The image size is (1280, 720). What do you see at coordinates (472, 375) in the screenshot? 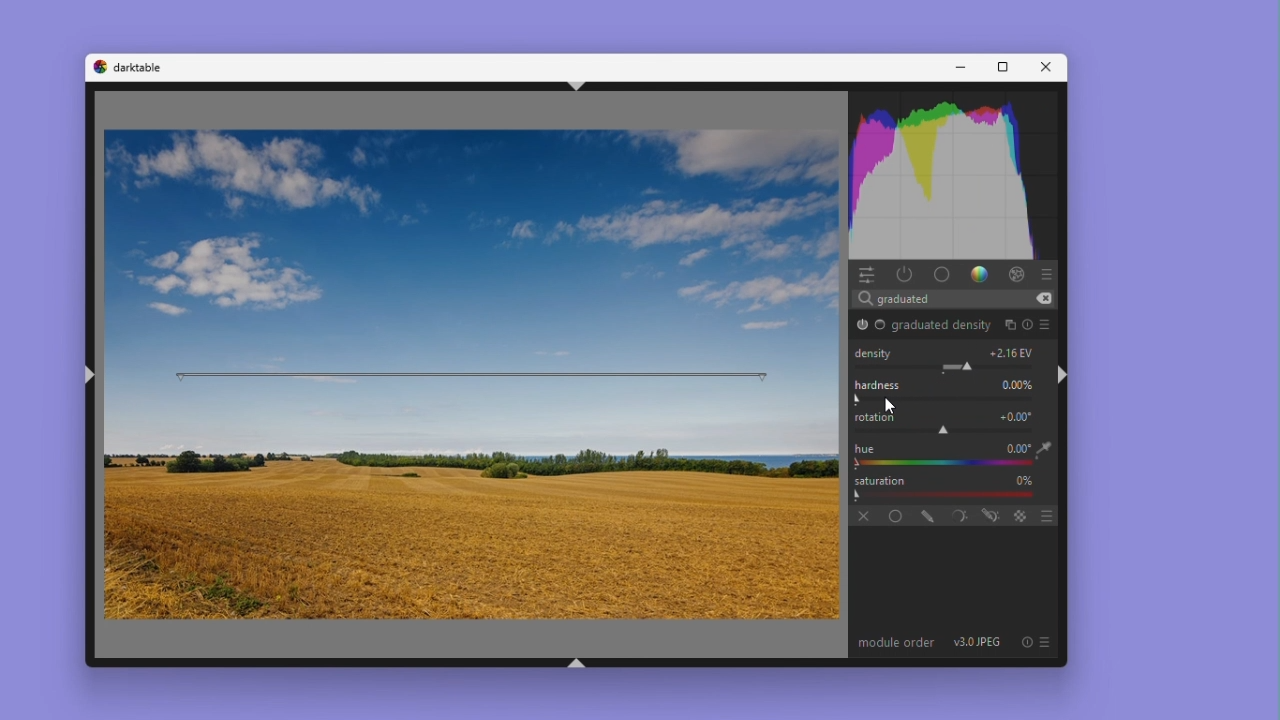
I see `rotation bar` at bounding box center [472, 375].